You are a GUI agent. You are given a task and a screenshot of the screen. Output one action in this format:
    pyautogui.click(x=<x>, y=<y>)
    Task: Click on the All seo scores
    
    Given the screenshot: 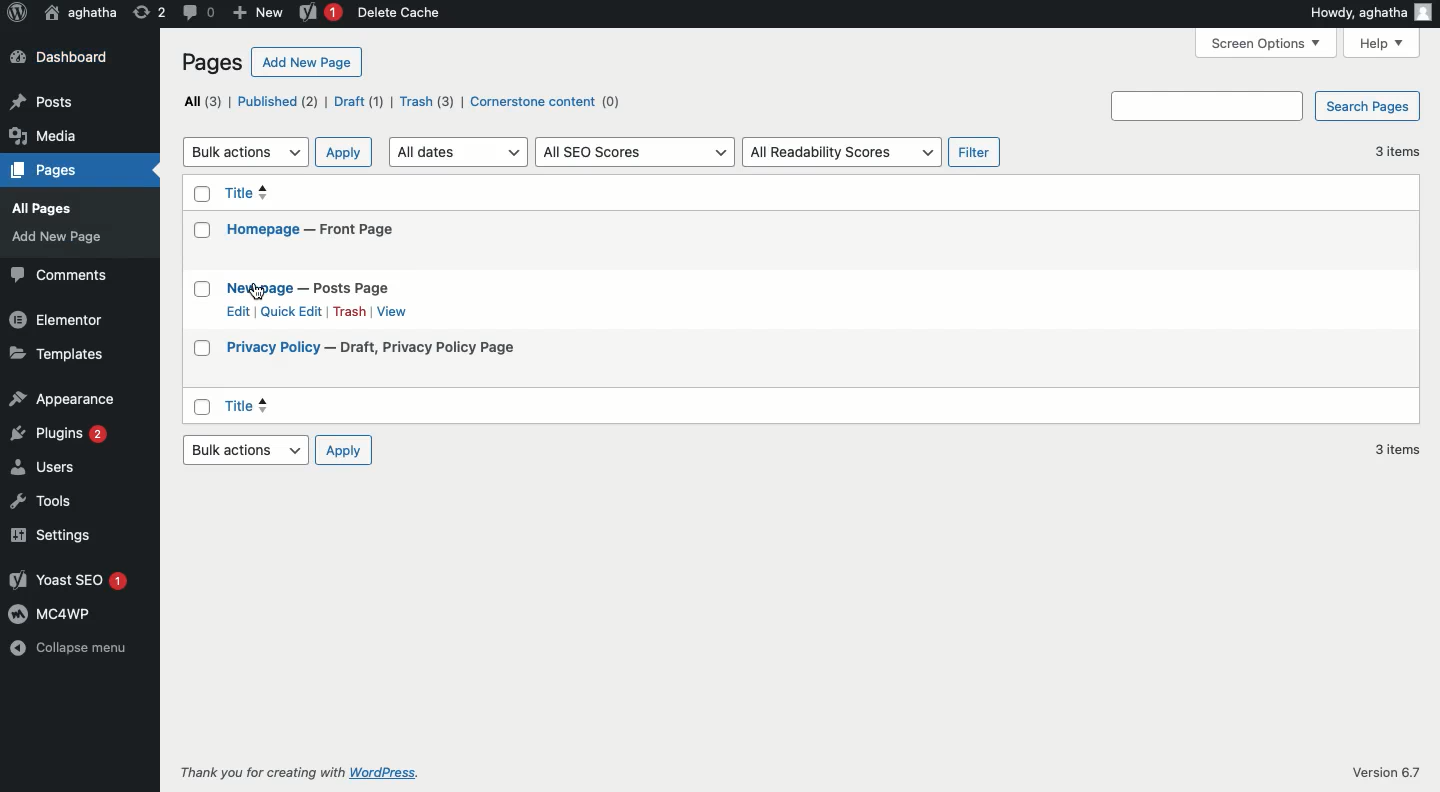 What is the action you would take?
    pyautogui.click(x=633, y=152)
    